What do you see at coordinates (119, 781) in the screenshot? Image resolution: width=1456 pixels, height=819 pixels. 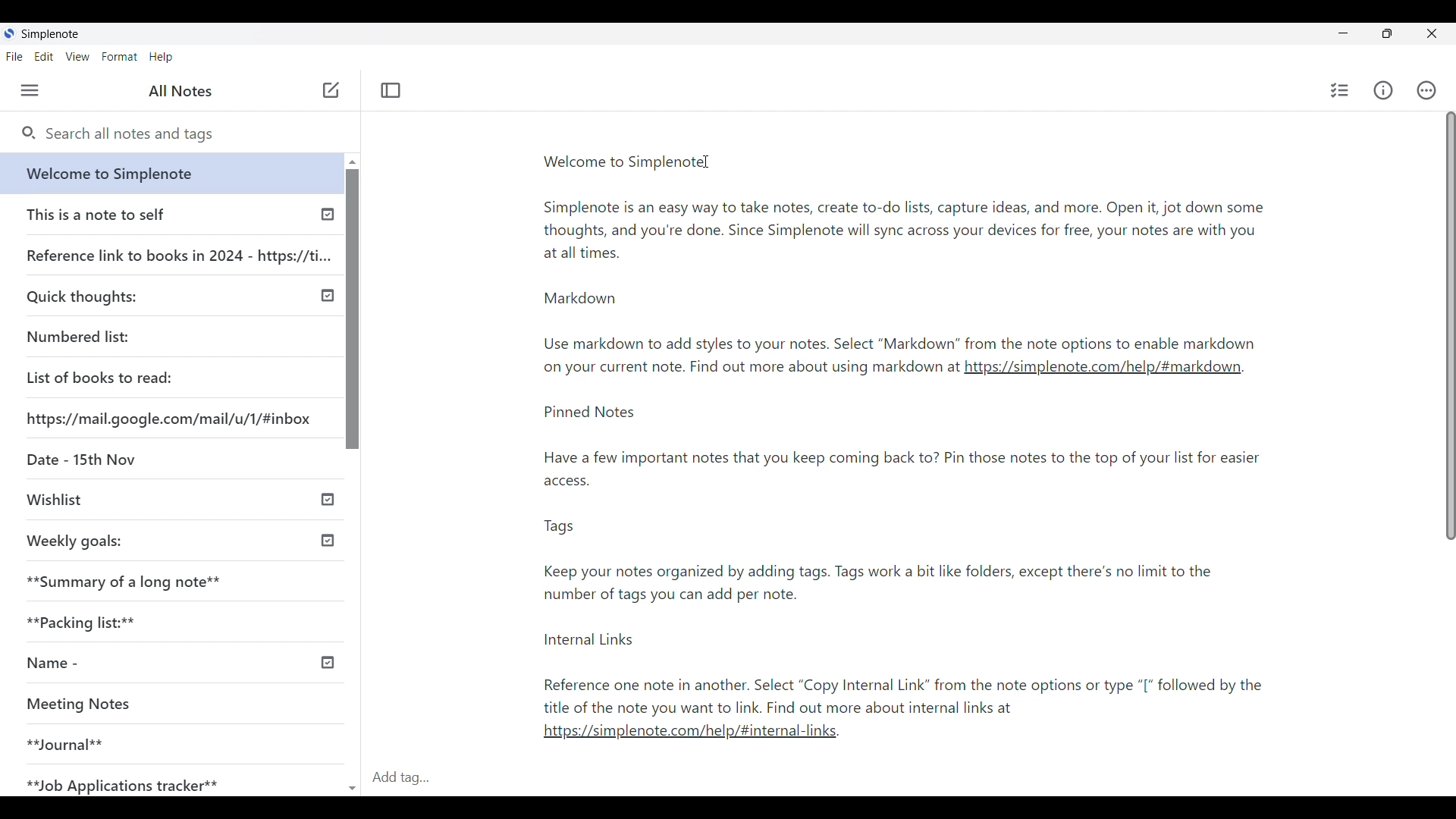 I see `Job Application tracker` at bounding box center [119, 781].